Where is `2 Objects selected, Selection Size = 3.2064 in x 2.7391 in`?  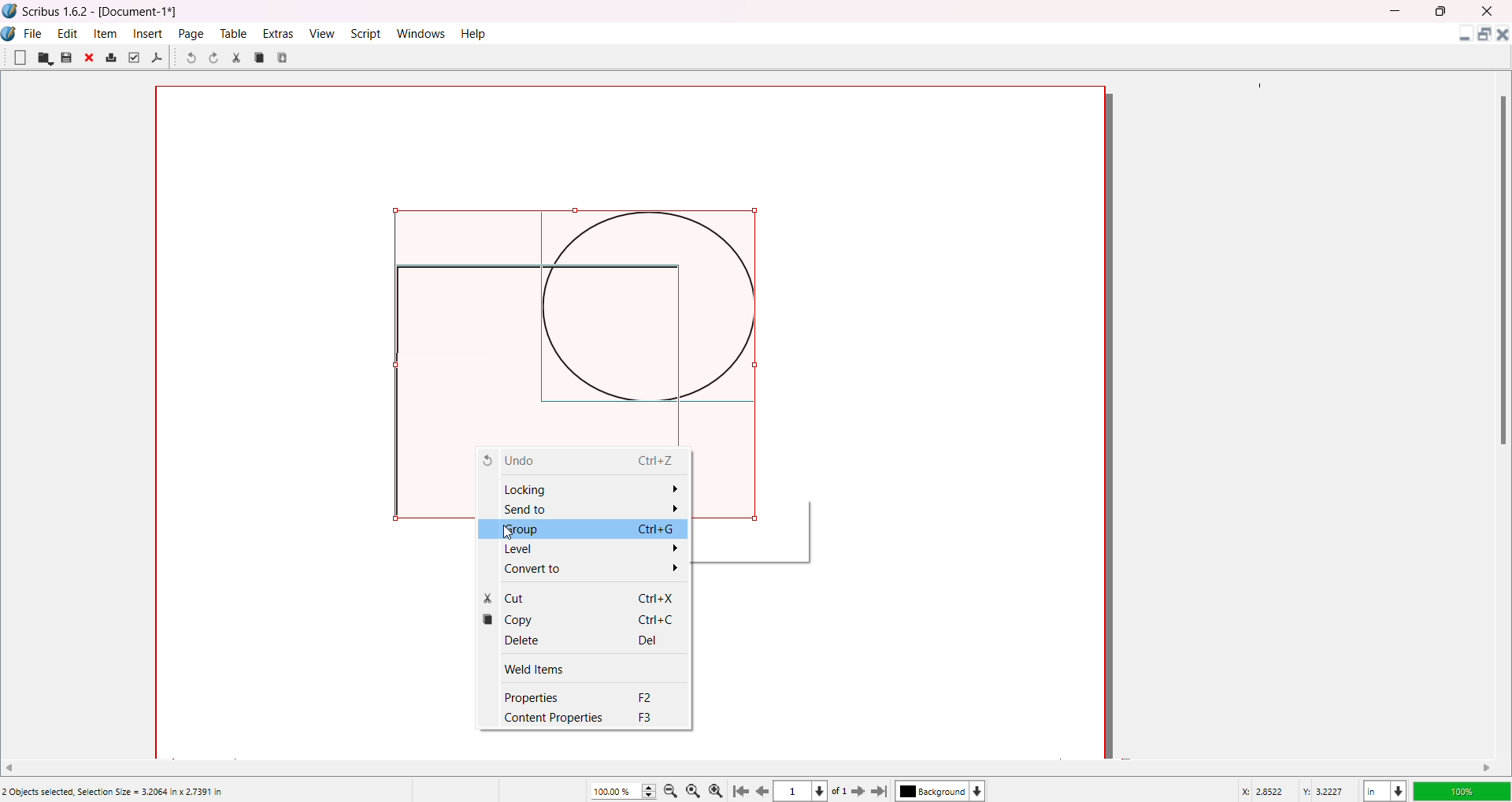 2 Objects selected, Selection Size = 3.2064 in x 2.7391 in is located at coordinates (113, 792).